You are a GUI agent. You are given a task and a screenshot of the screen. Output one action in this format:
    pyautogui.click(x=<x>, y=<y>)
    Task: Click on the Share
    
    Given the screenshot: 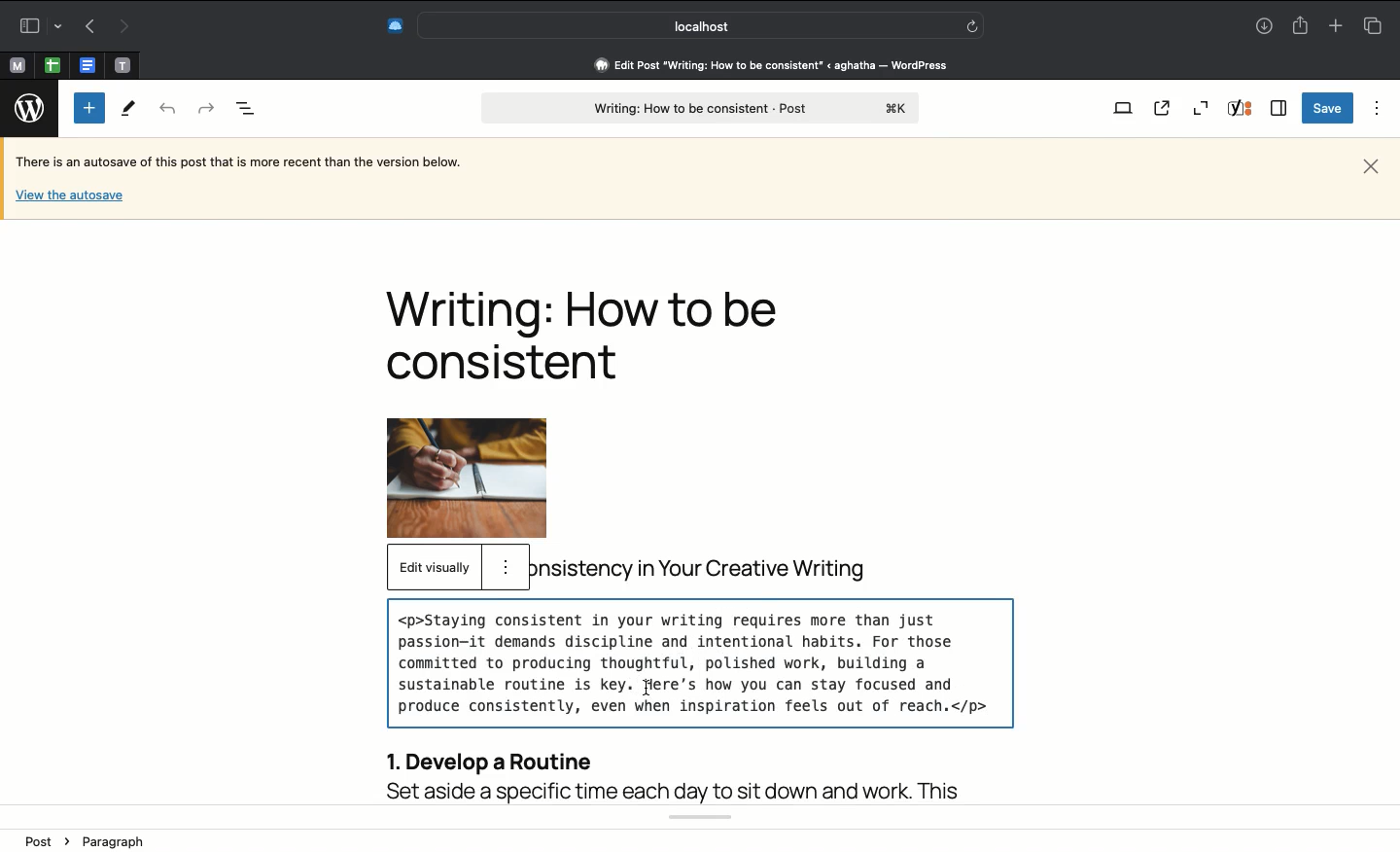 What is the action you would take?
    pyautogui.click(x=1303, y=26)
    